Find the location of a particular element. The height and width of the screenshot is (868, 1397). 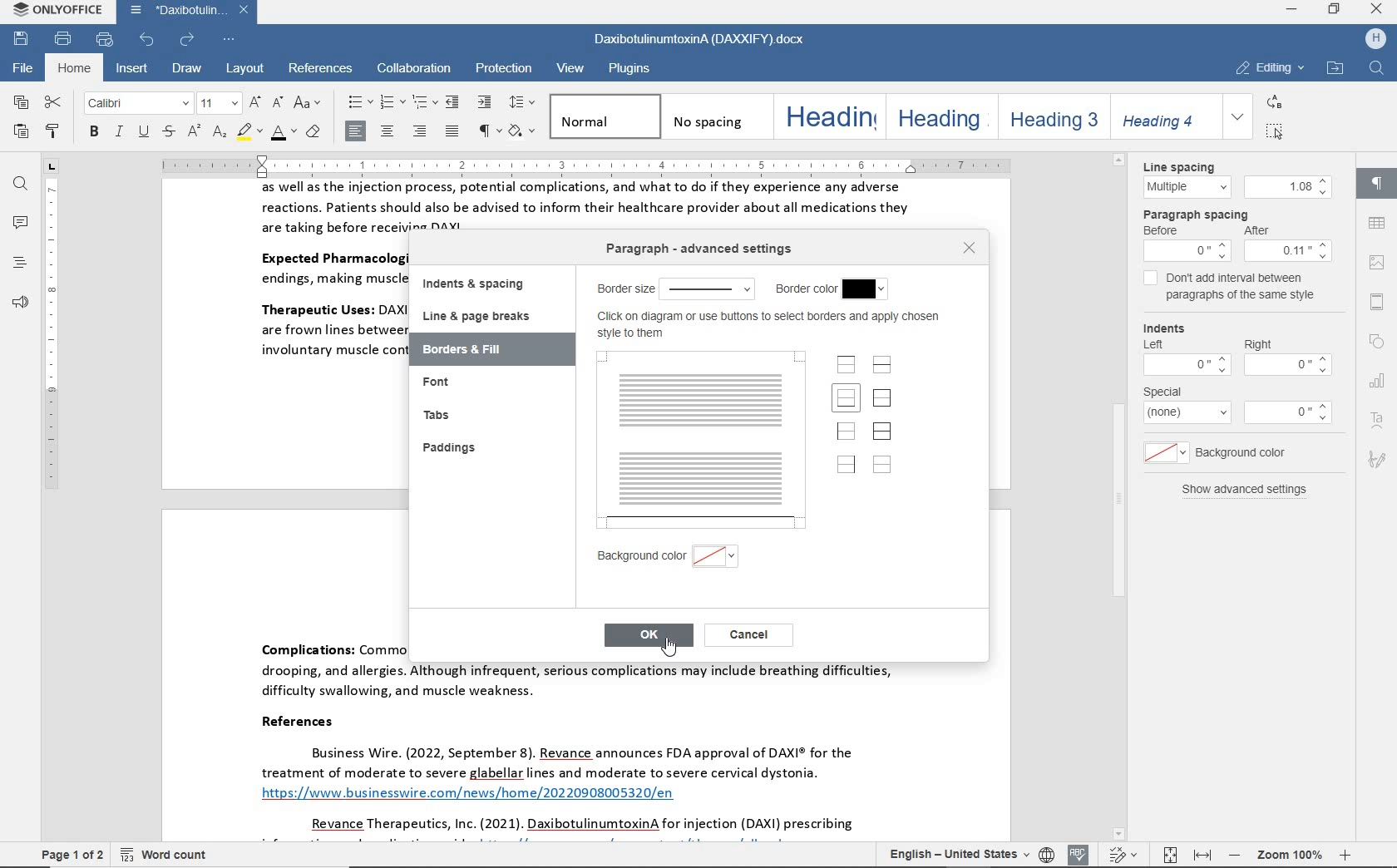

spell checking is located at coordinates (1079, 855).